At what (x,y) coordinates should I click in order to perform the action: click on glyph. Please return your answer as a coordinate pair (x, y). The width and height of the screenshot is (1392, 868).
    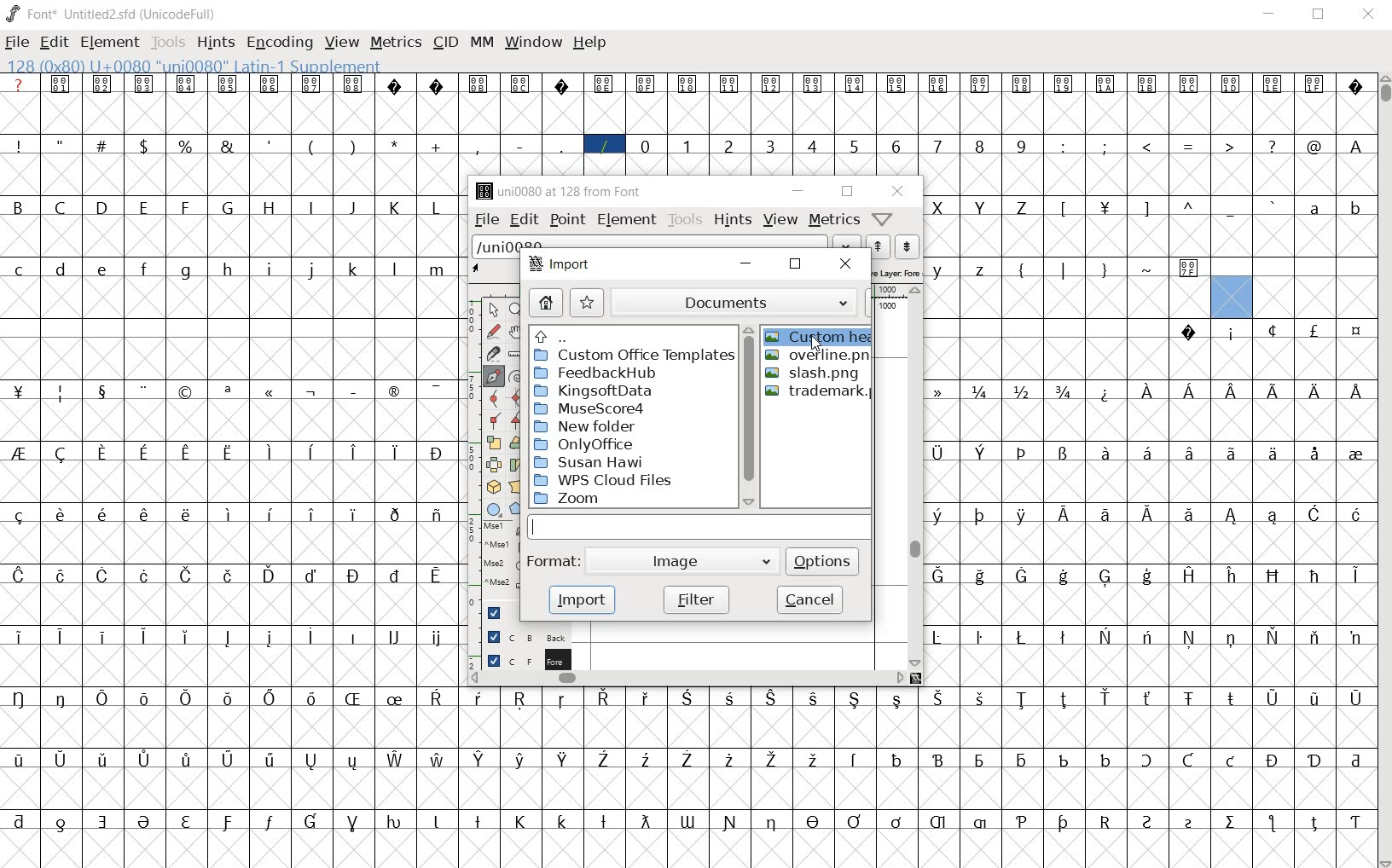
    Looking at the image, I should click on (1105, 822).